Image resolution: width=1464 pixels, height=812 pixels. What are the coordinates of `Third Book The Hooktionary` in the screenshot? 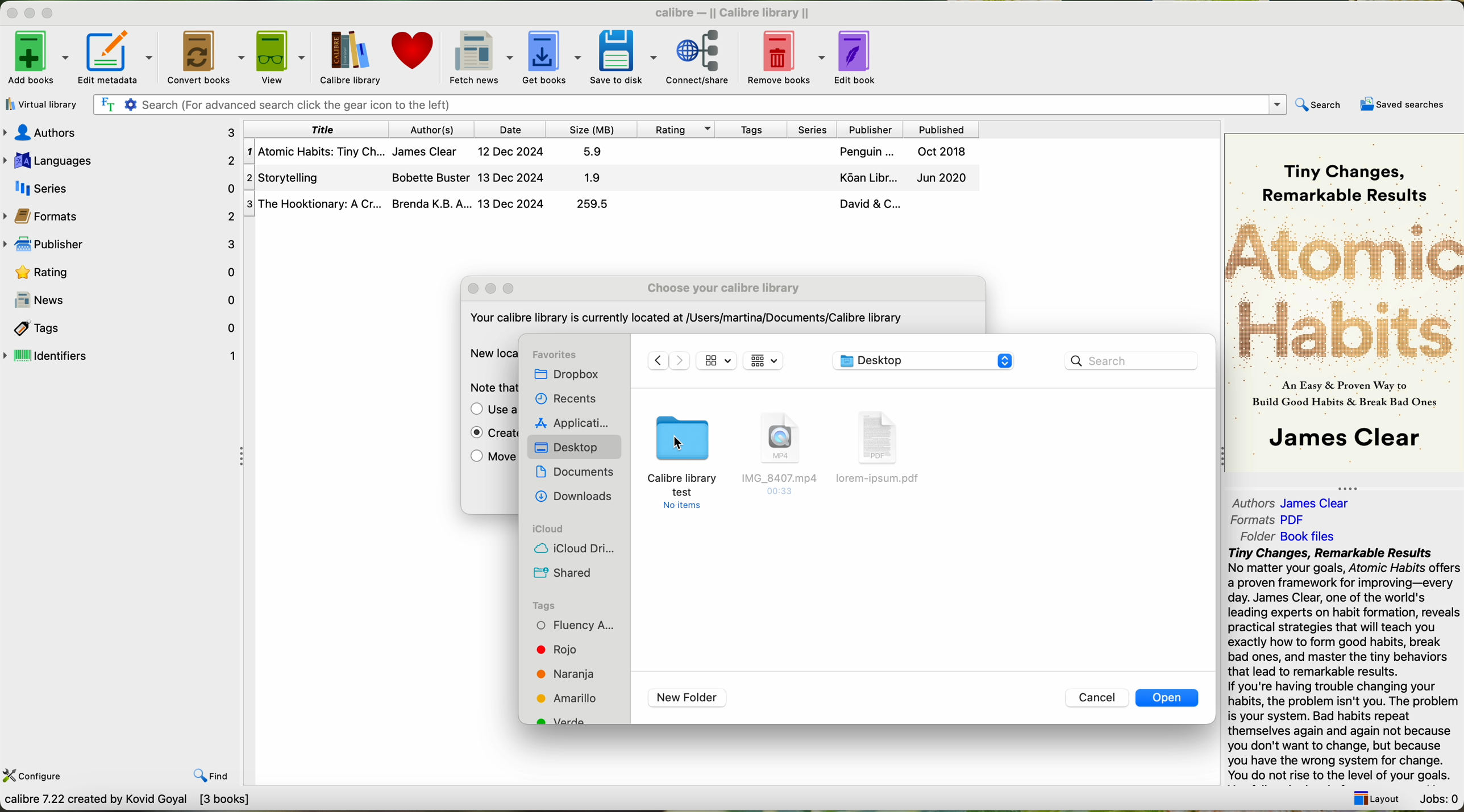 It's located at (611, 205).